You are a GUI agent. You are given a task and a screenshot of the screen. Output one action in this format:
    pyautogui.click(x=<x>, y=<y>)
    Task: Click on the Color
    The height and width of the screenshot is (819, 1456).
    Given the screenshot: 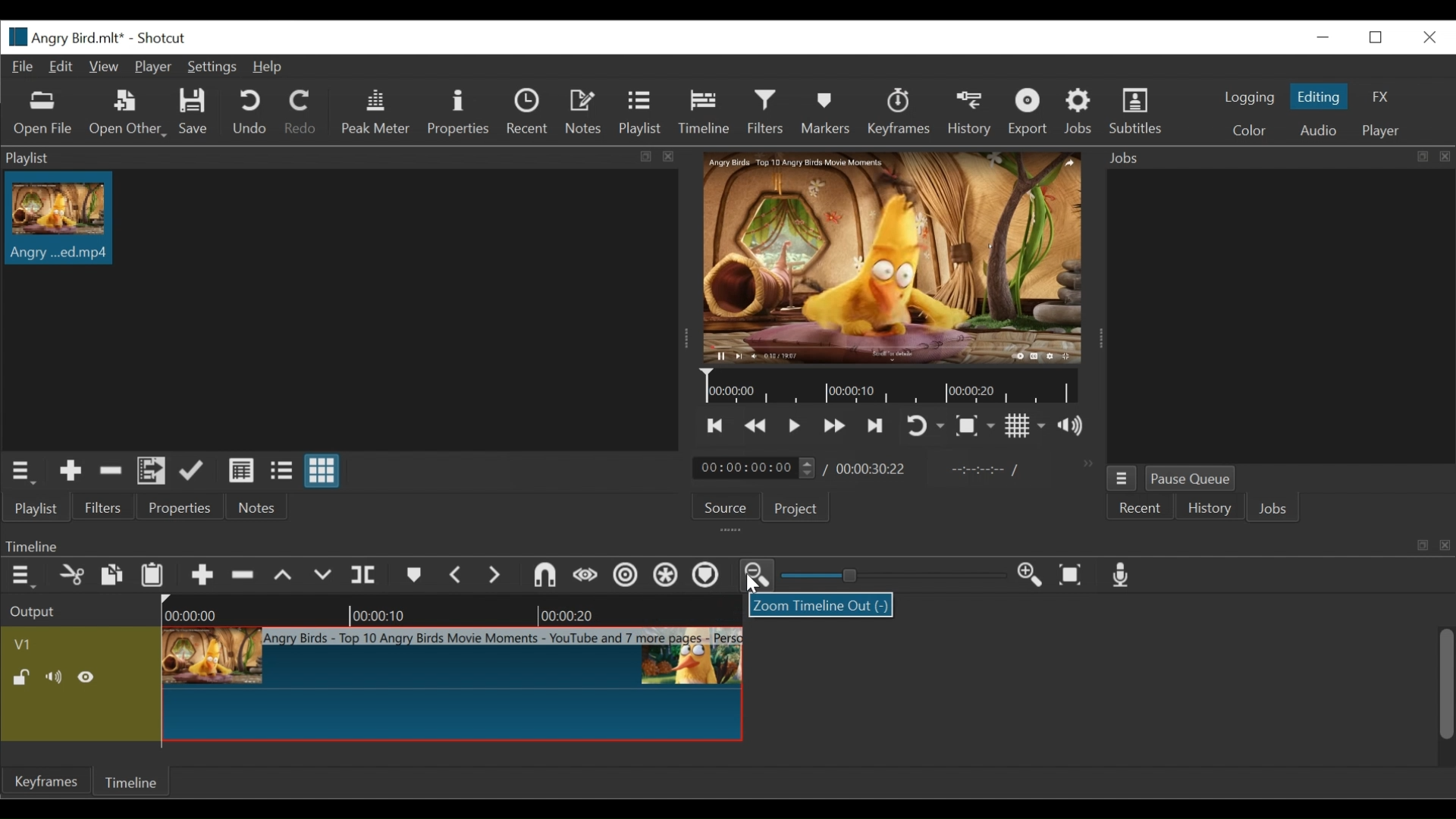 What is the action you would take?
    pyautogui.click(x=1254, y=130)
    